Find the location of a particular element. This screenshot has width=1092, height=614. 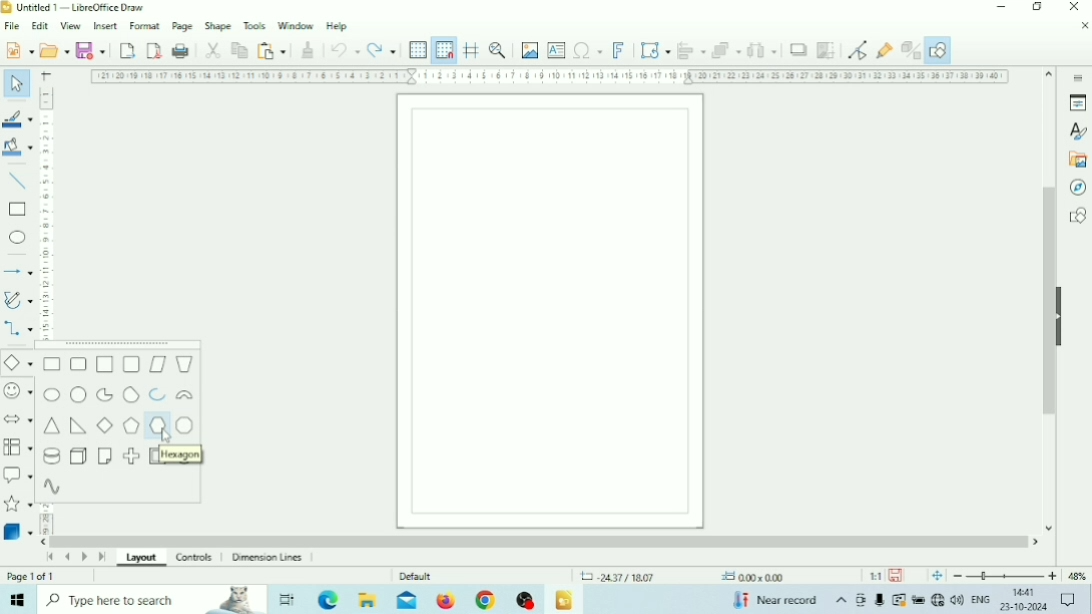

Date is located at coordinates (1024, 607).